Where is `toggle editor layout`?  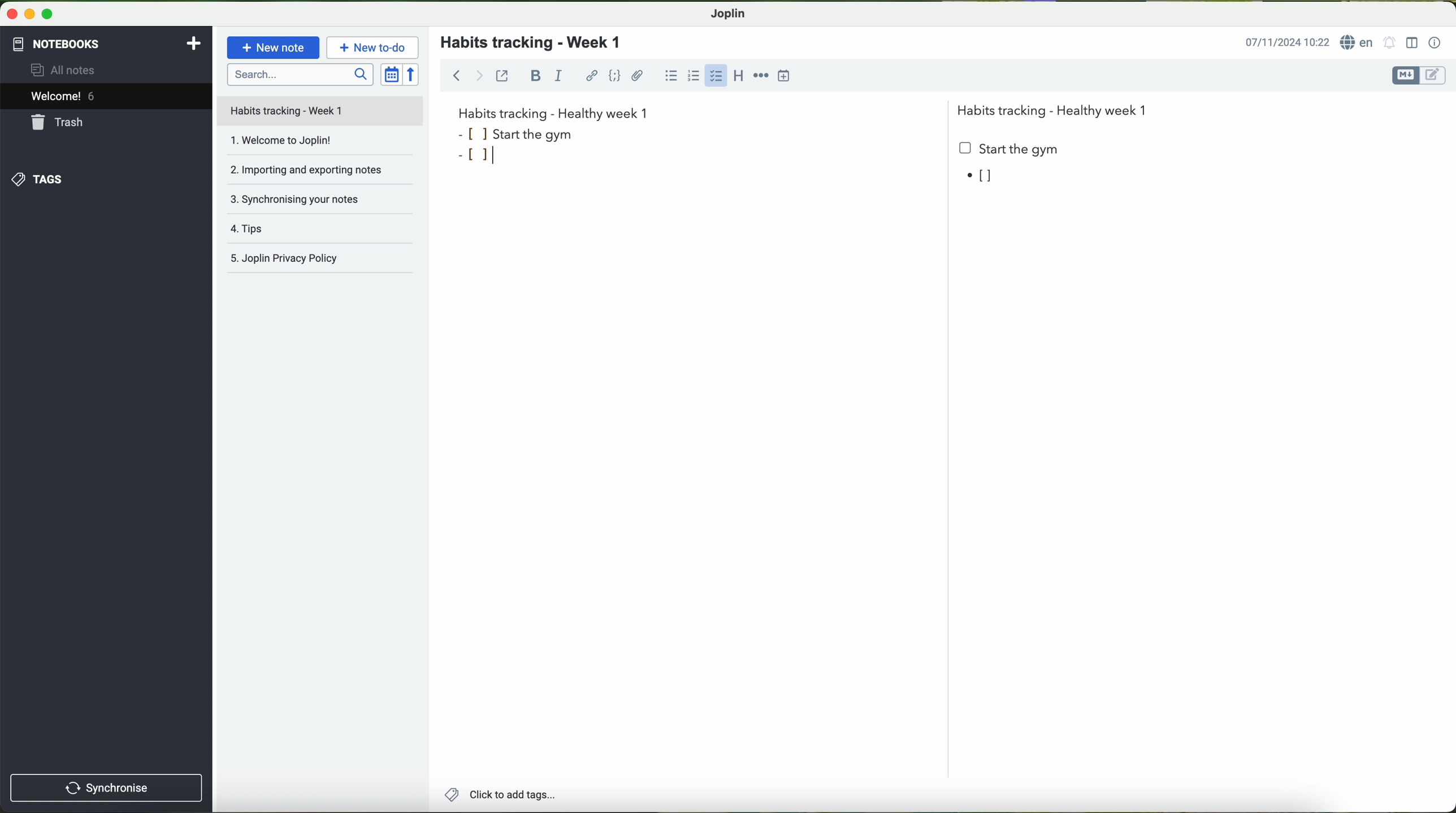 toggle editor layout is located at coordinates (1412, 43).